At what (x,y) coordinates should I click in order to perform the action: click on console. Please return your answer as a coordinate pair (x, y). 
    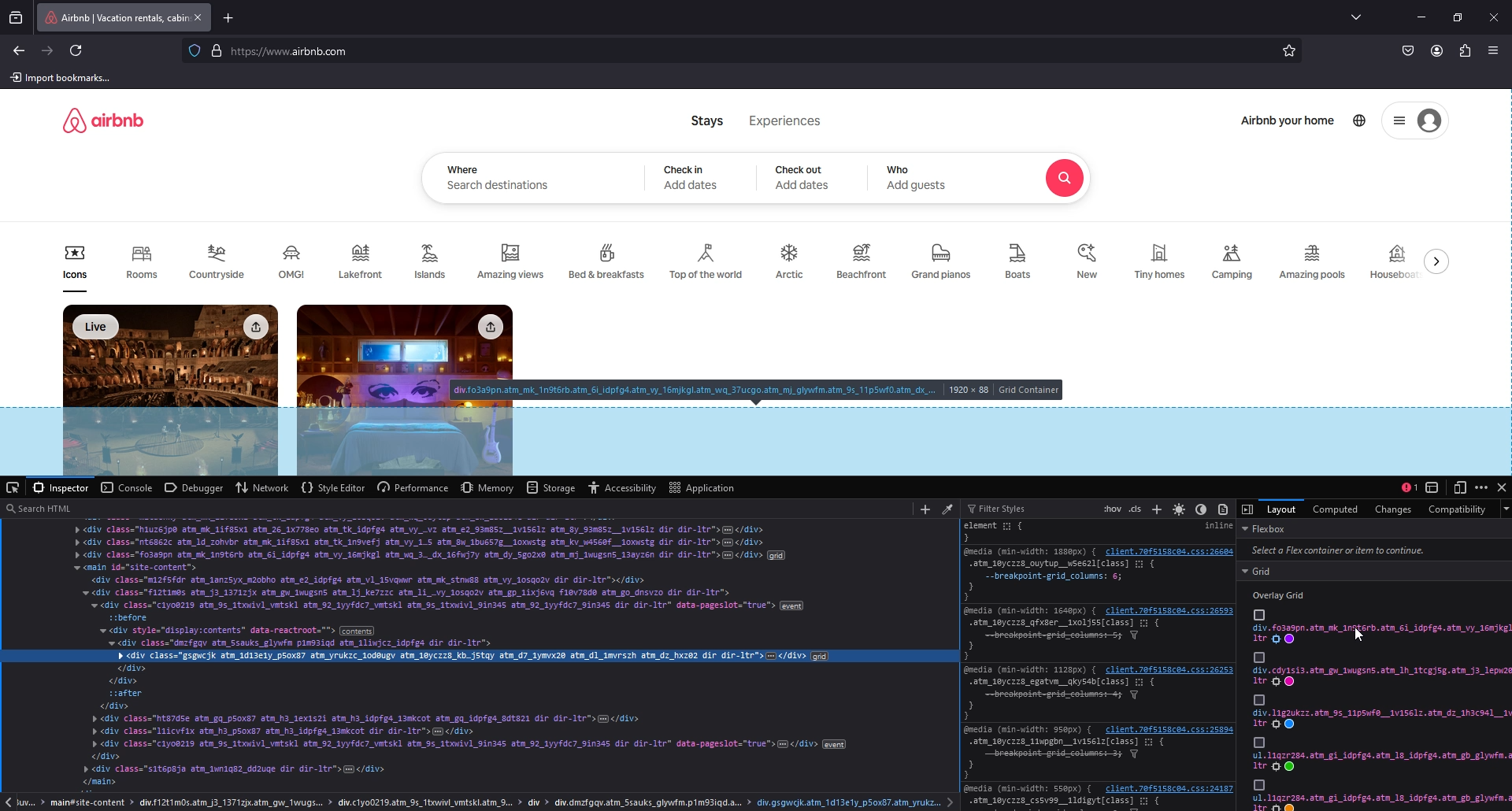
    Looking at the image, I should click on (125, 487).